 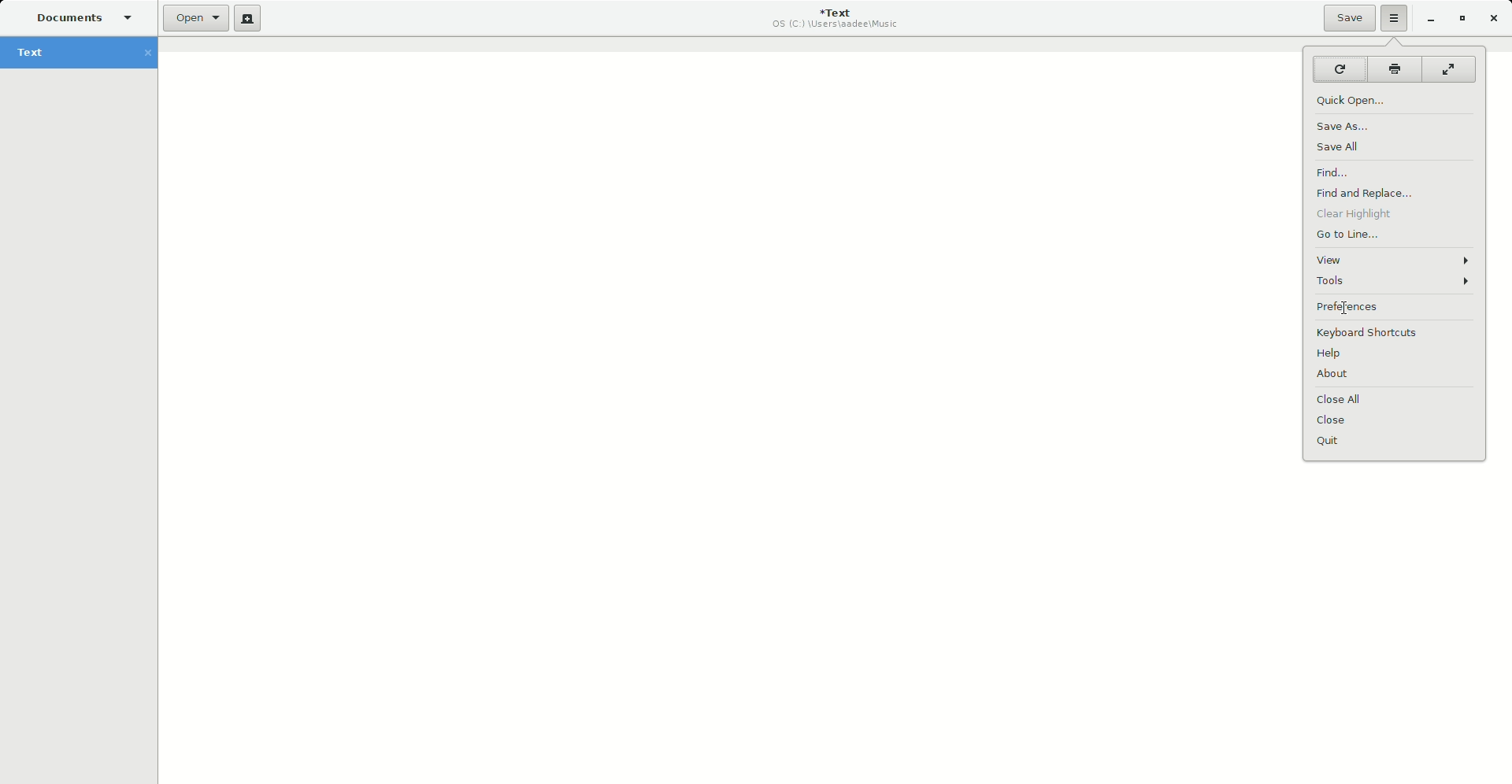 What do you see at coordinates (1346, 400) in the screenshot?
I see `Close All` at bounding box center [1346, 400].